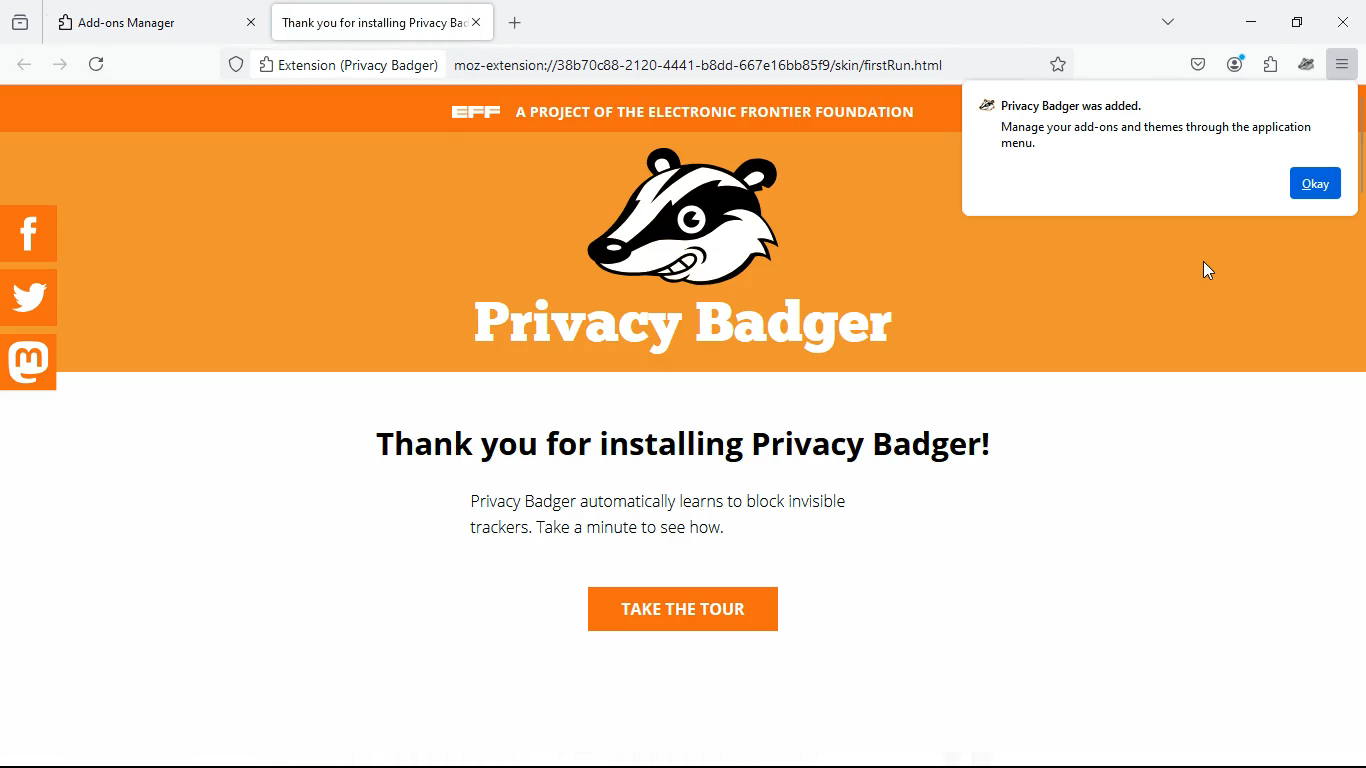  Describe the element at coordinates (1344, 64) in the screenshot. I see `menu` at that location.